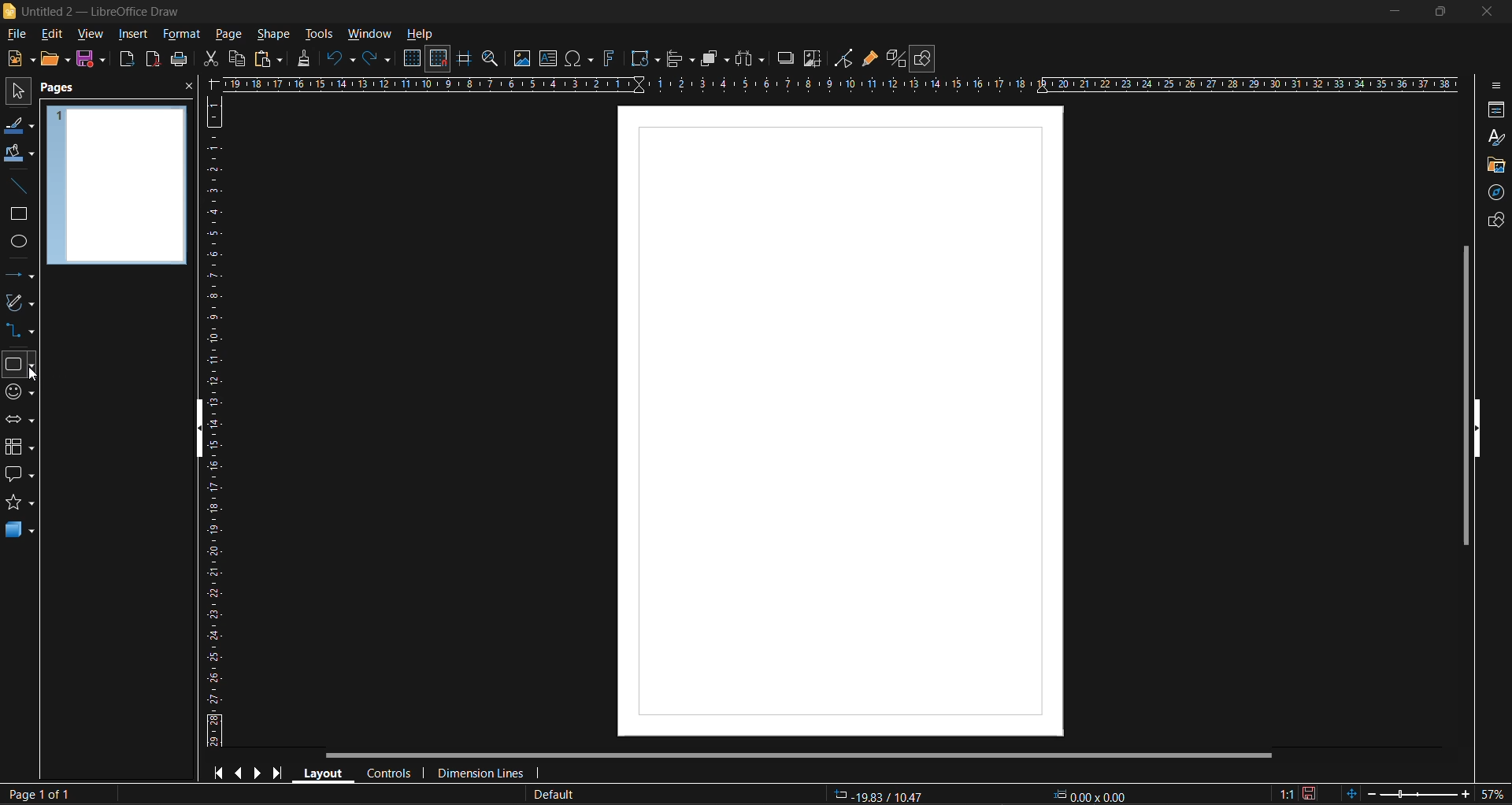 The image size is (1512, 805). Describe the element at coordinates (439, 59) in the screenshot. I see `snap to grid` at that location.